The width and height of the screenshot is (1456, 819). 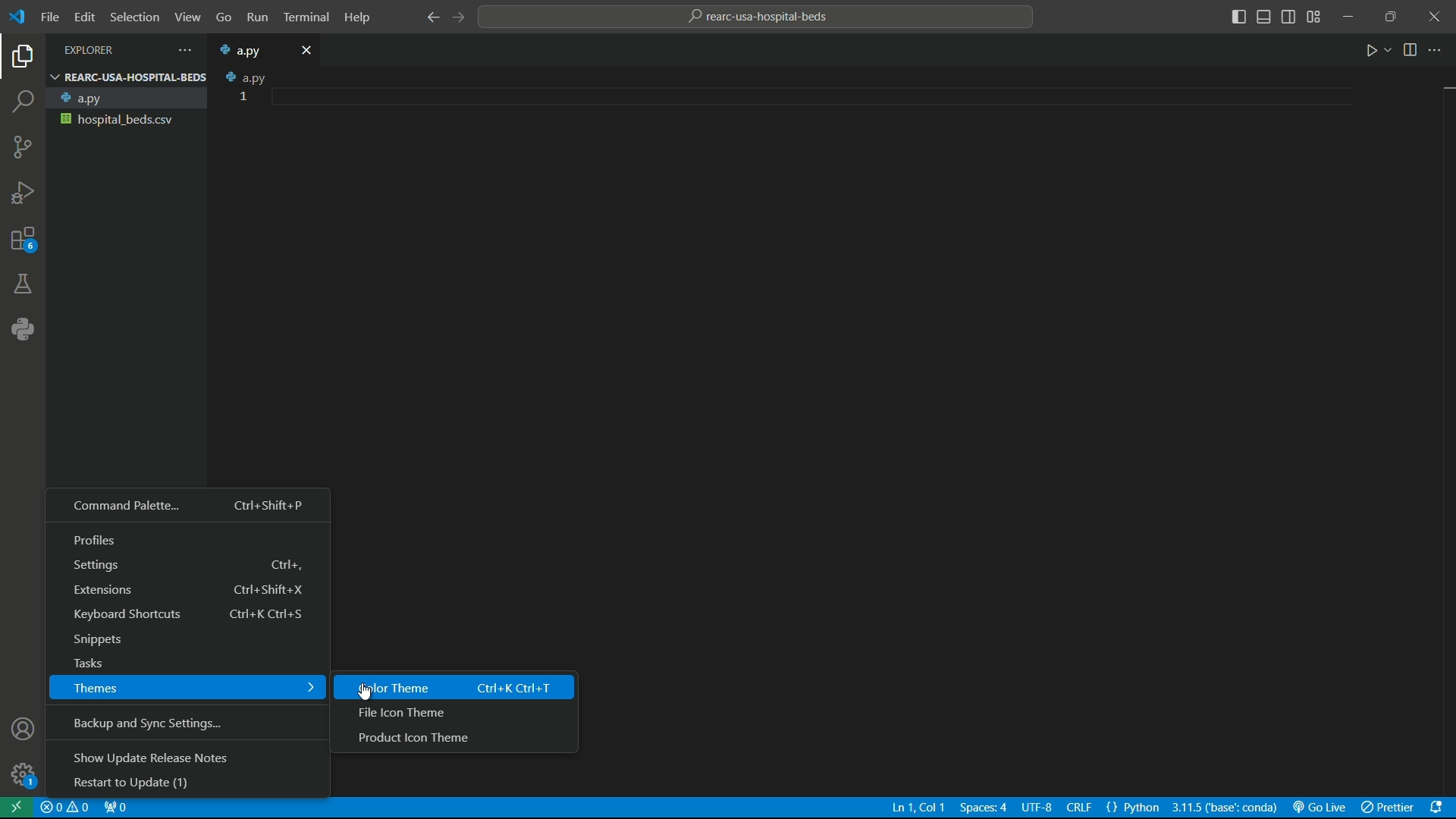 I want to click on no ports forwarded, so click(x=115, y=809).